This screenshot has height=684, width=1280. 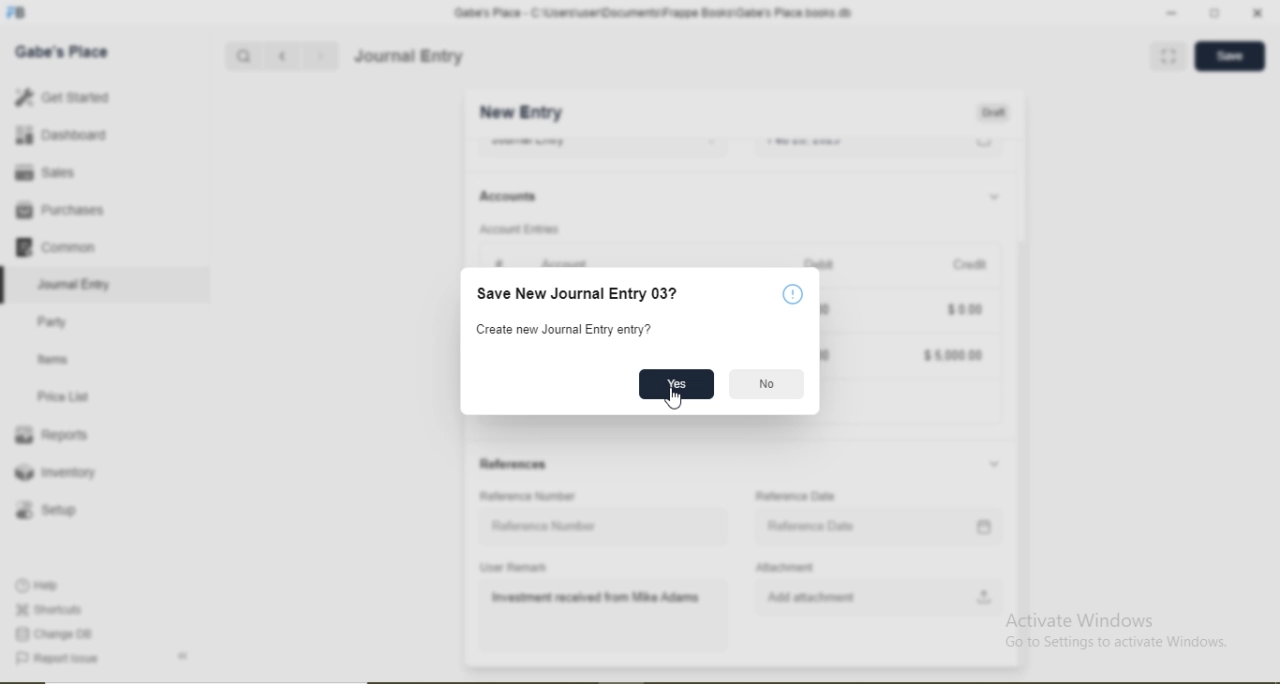 What do you see at coordinates (811, 597) in the screenshot?
I see `Add attachment` at bounding box center [811, 597].